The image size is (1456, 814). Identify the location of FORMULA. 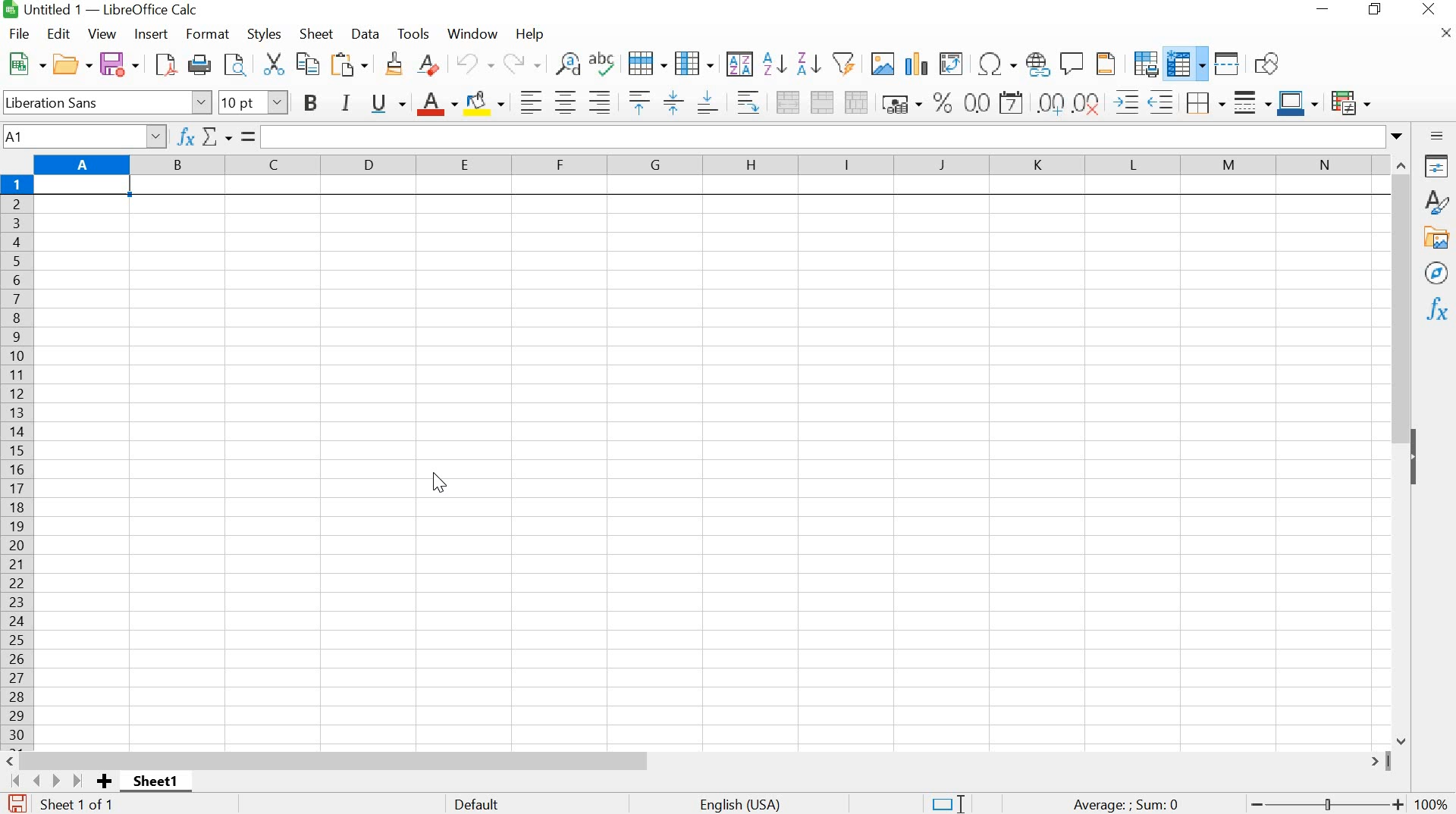
(249, 136).